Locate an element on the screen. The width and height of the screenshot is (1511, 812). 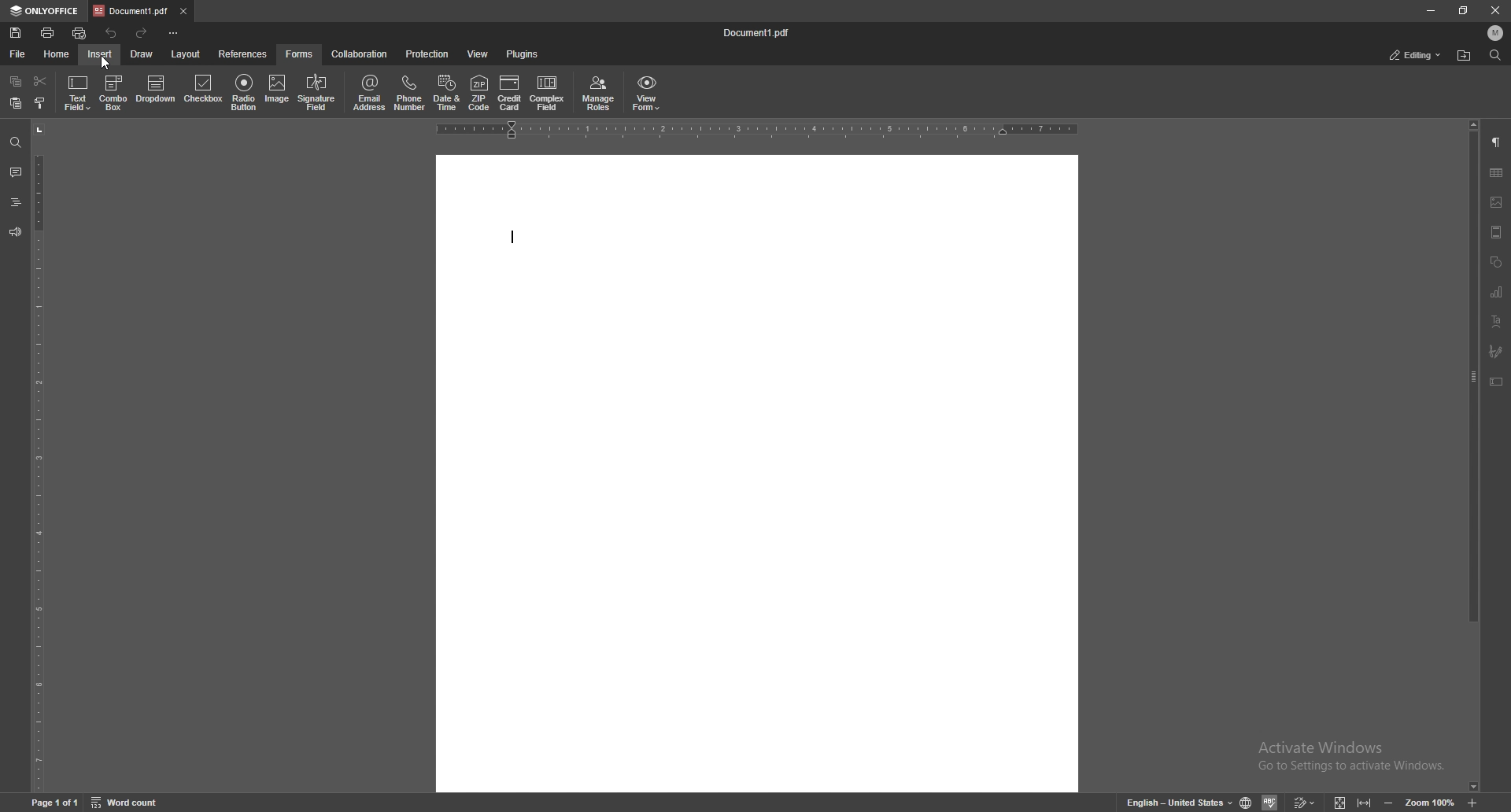
colaboration is located at coordinates (360, 54).